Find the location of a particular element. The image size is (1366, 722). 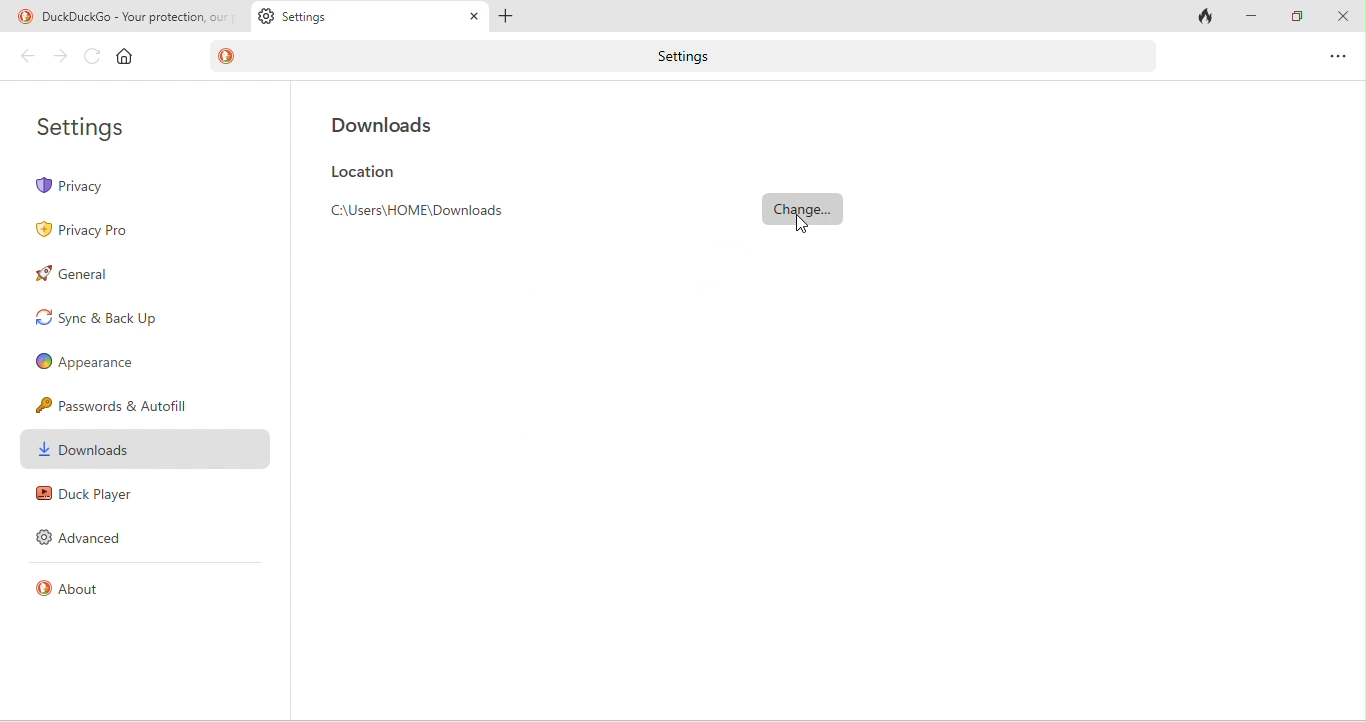

location is located at coordinates (365, 172).